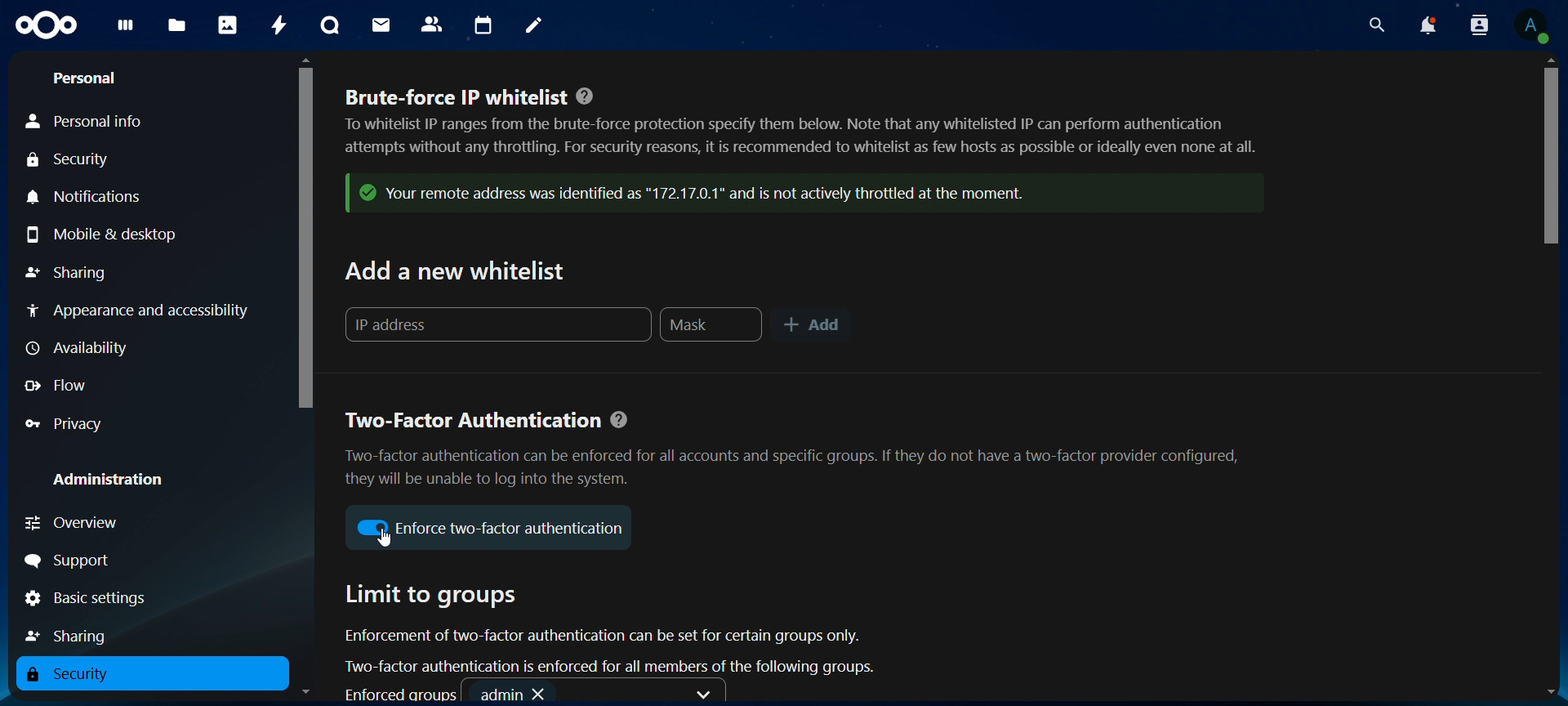 This screenshot has height=706, width=1568. What do you see at coordinates (280, 25) in the screenshot?
I see `activity` at bounding box center [280, 25].